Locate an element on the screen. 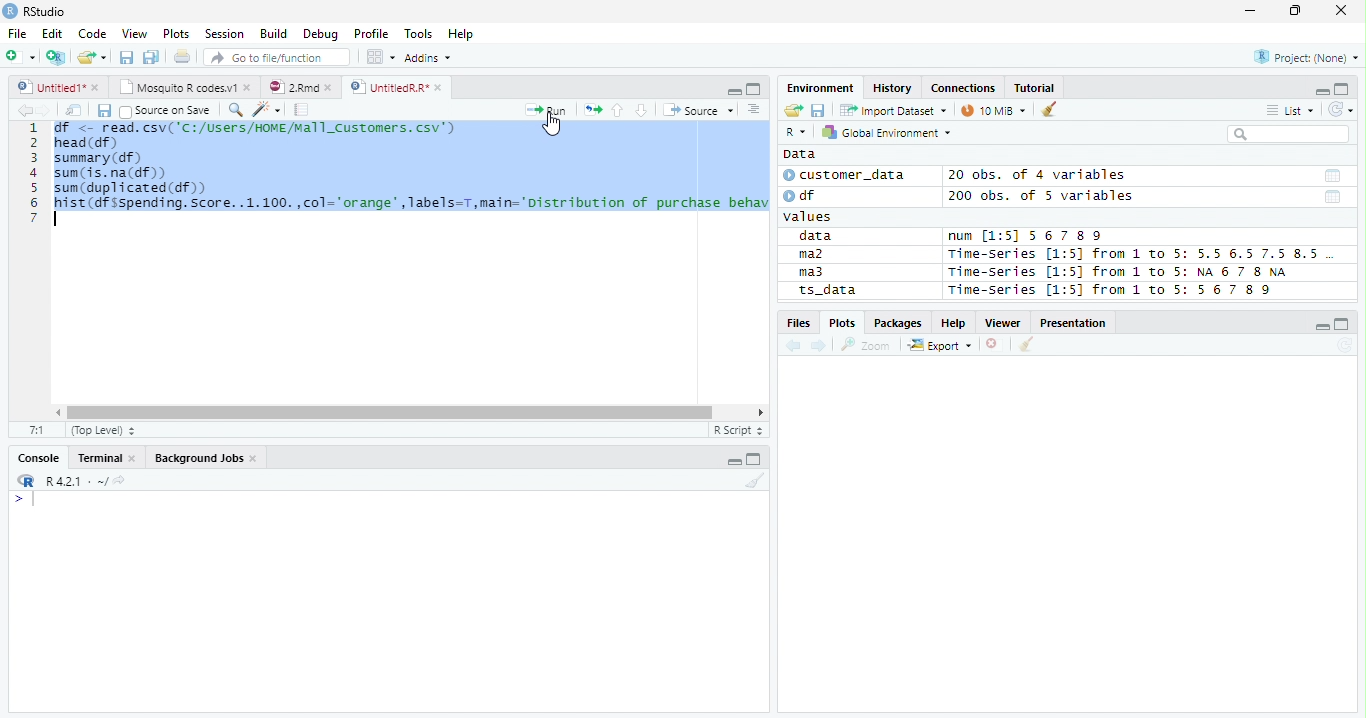 The image size is (1366, 718). Time-Series [1:5] from 1 to 5: 56 7 8 9 is located at coordinates (1112, 290).